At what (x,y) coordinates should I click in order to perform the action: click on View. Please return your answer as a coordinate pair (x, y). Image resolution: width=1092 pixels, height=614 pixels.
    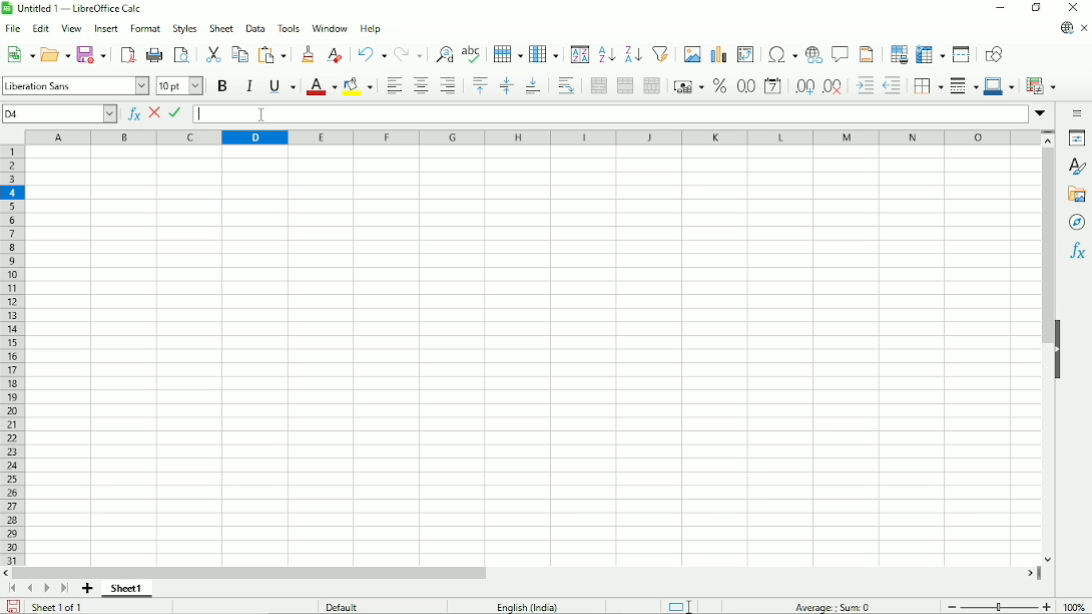
    Looking at the image, I should click on (72, 29).